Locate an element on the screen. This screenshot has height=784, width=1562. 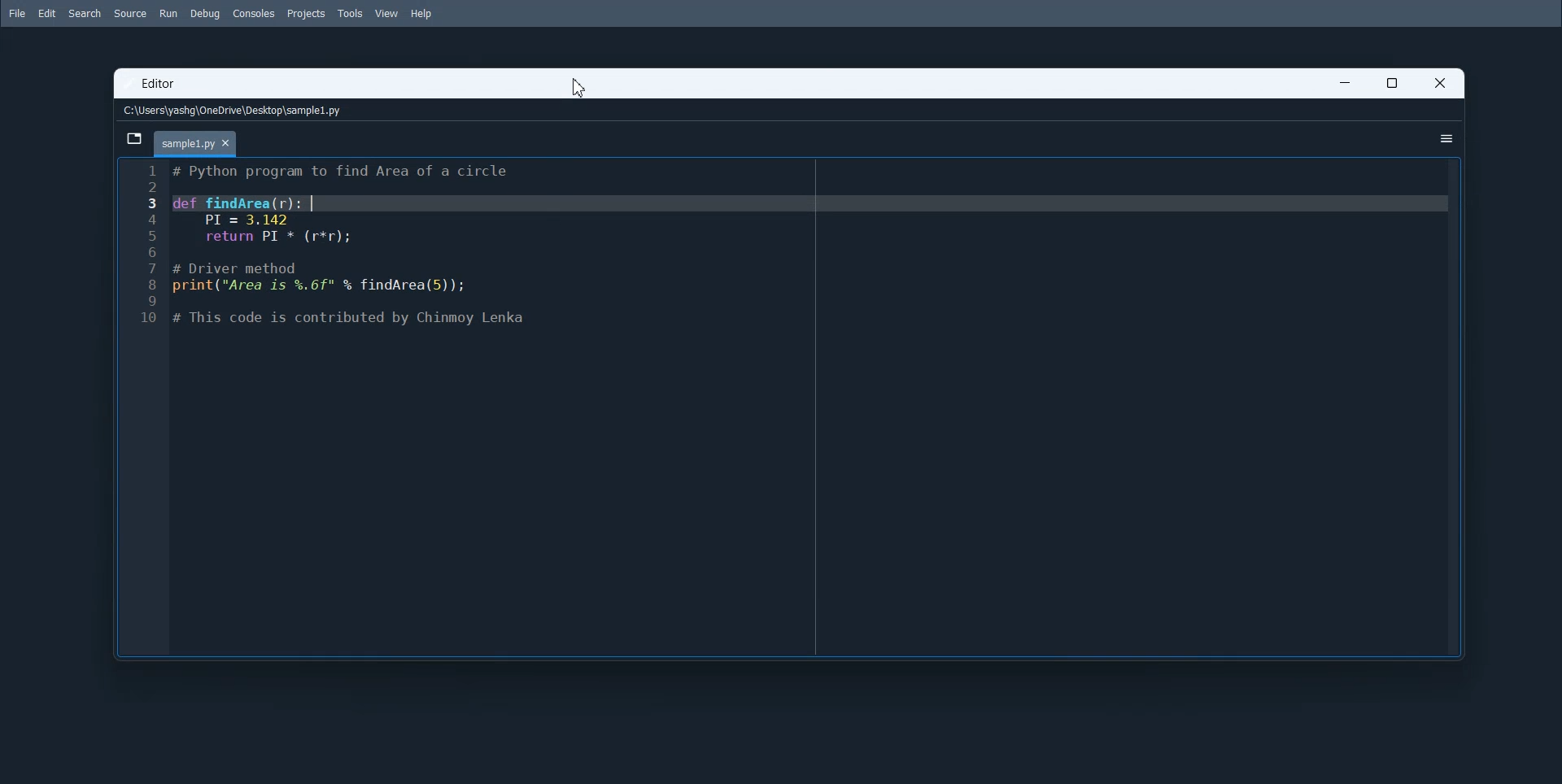
# Function to find the area of a circle def findArea(r):     PI = 3.143     return PI * (r * r)  # Driver method radius = 5  # You can change the value of radius to test with different inputs print("Area is", findArea(radius)) is located at coordinates (811, 407).